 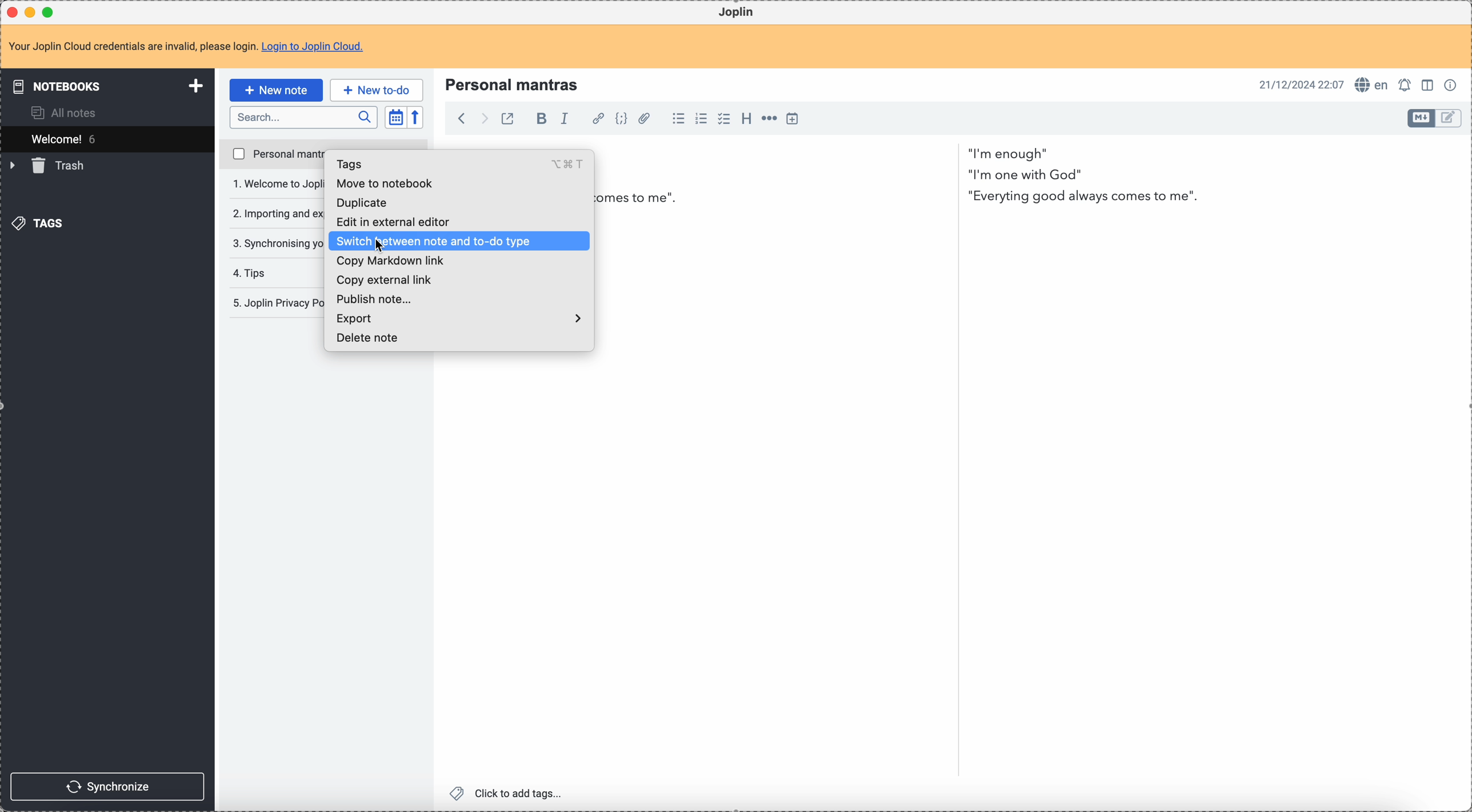 I want to click on synchronize, so click(x=109, y=787).